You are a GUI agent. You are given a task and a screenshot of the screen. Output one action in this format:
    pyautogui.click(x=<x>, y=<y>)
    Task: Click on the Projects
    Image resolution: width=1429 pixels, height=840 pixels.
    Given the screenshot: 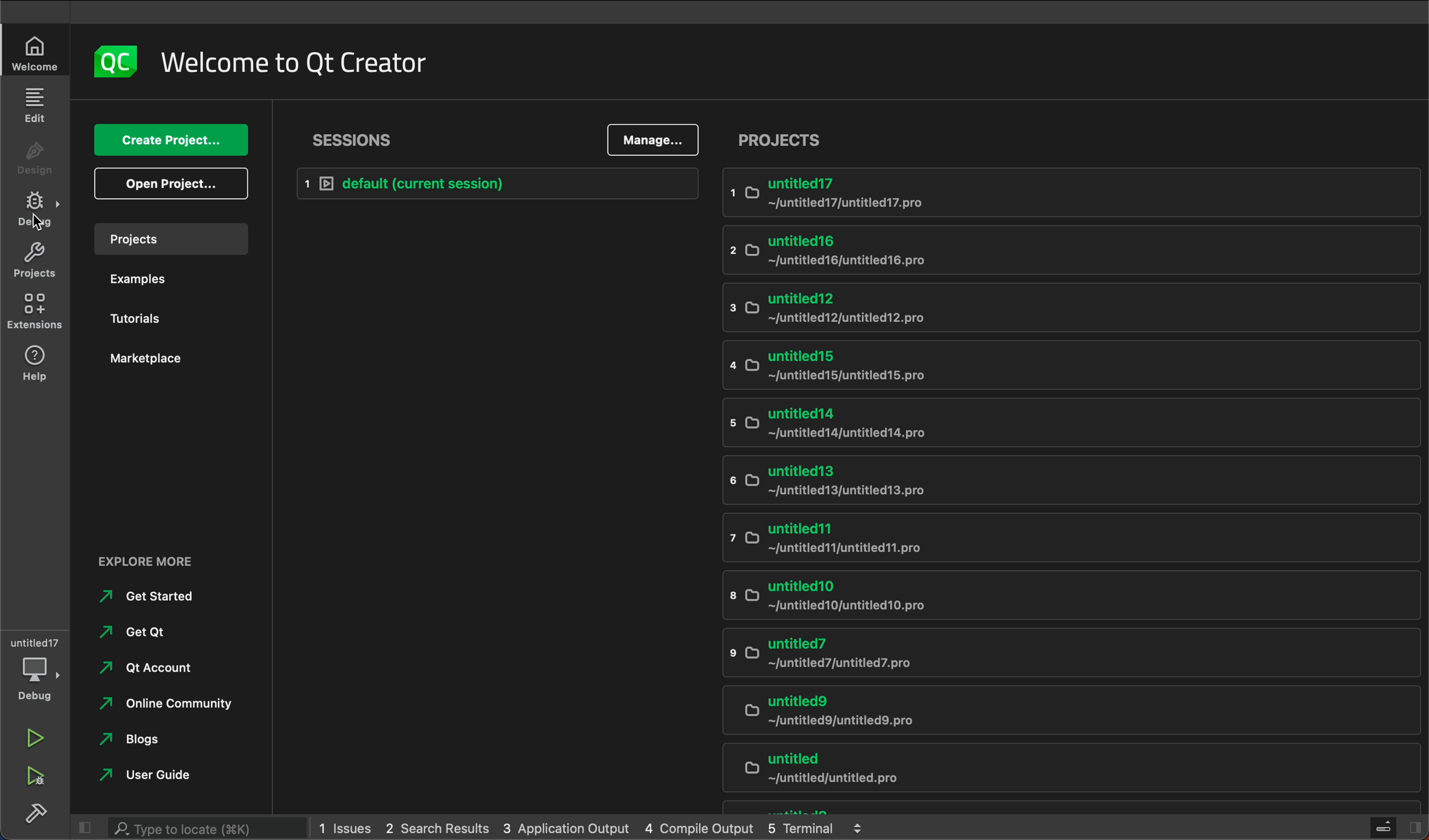 What is the action you would take?
    pyautogui.click(x=789, y=139)
    